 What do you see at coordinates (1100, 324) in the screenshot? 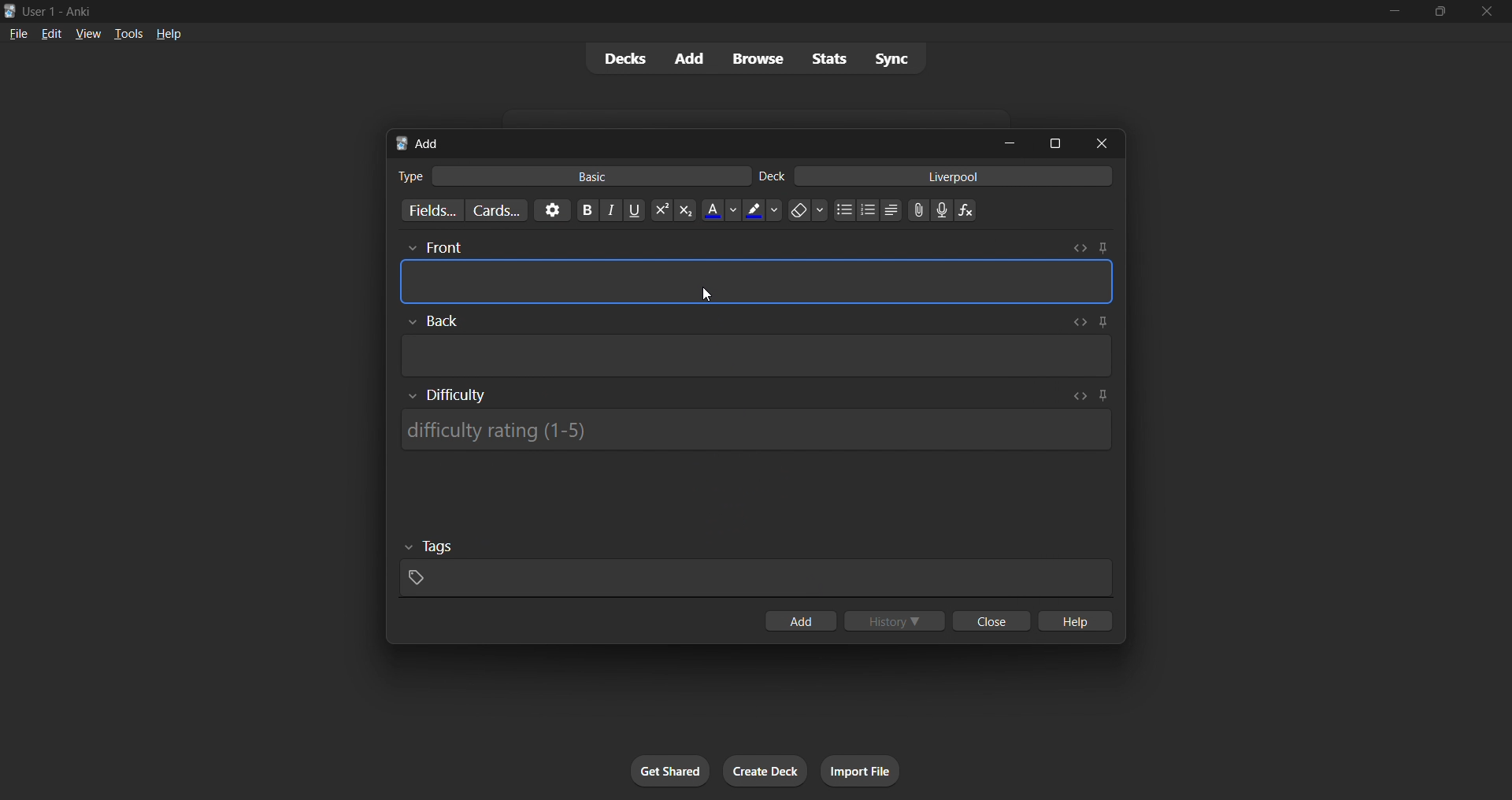
I see `Toggle sticky` at bounding box center [1100, 324].